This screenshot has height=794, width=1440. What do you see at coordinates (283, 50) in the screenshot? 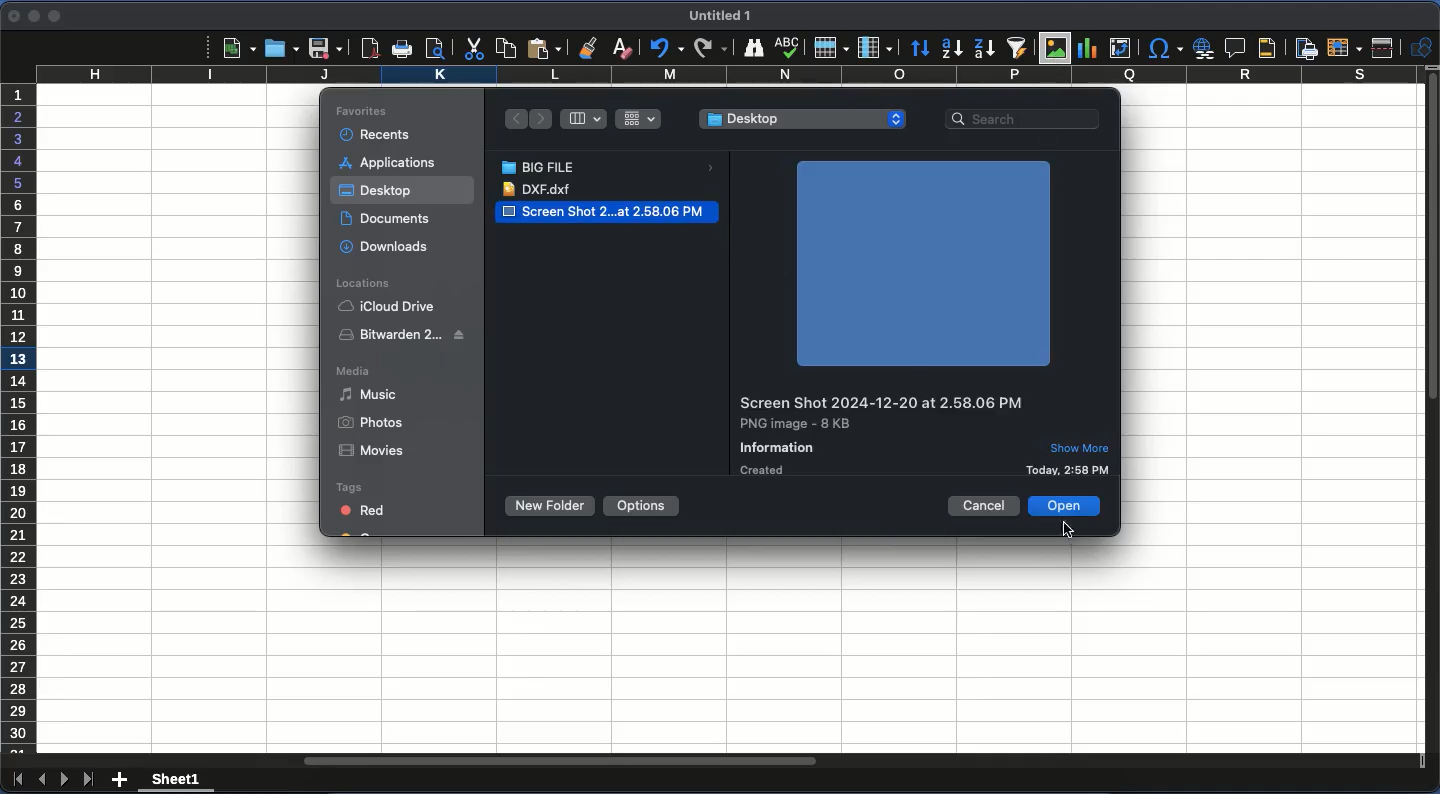
I see `open` at bounding box center [283, 50].